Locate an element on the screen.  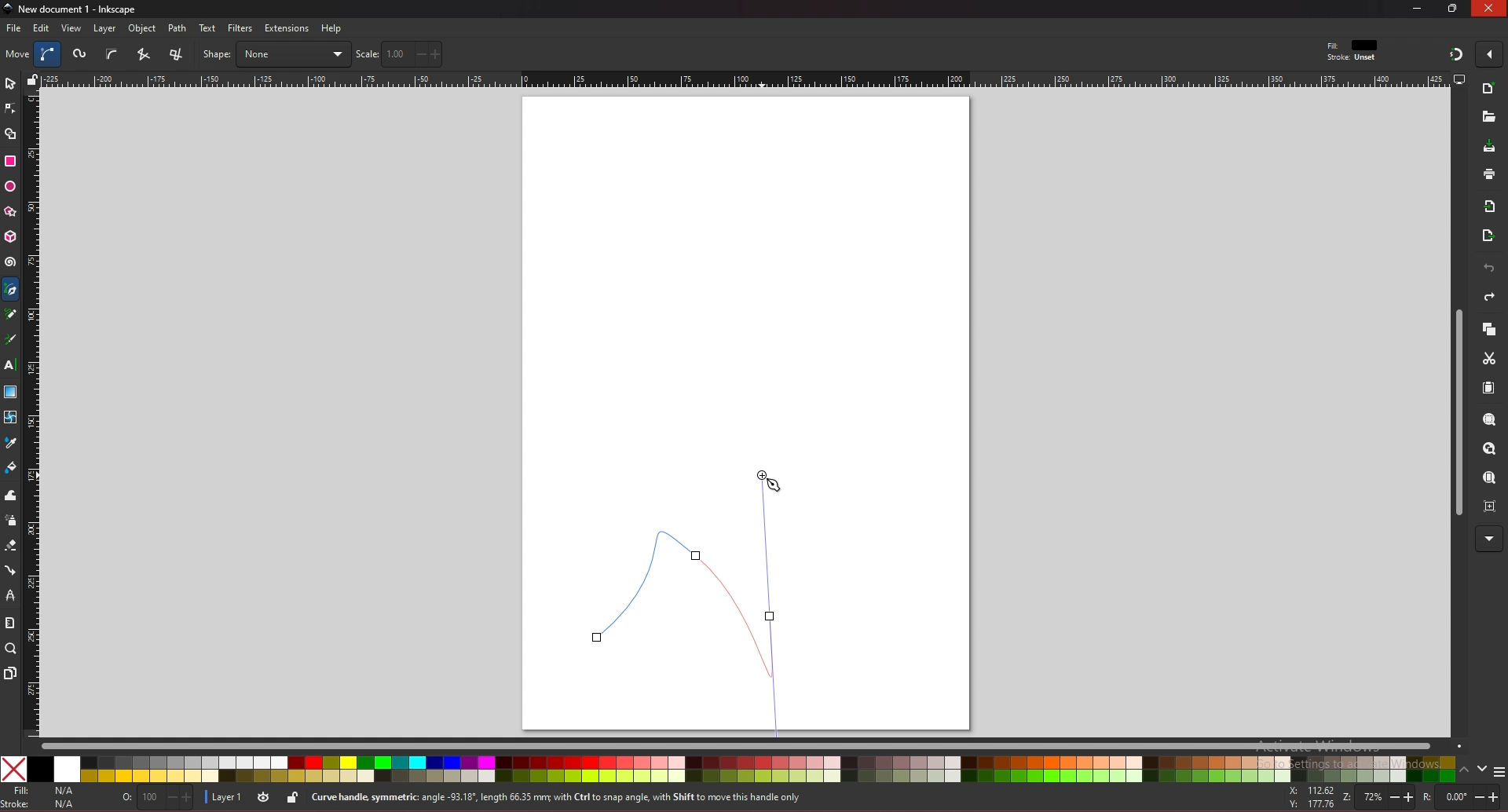
eraser is located at coordinates (10, 546).